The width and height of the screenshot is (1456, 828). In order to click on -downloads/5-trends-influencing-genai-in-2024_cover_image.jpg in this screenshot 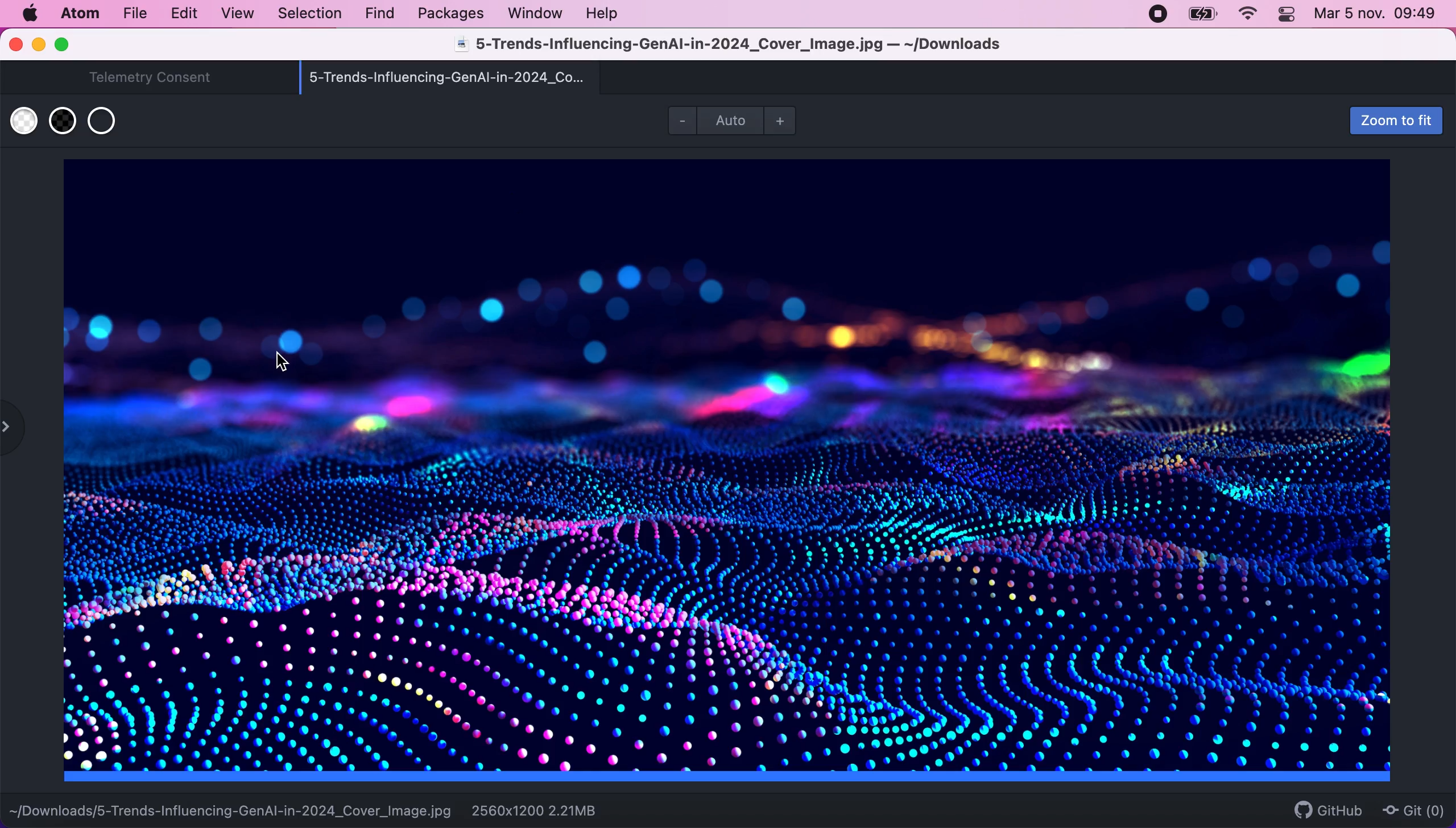, I will do `click(238, 807)`.